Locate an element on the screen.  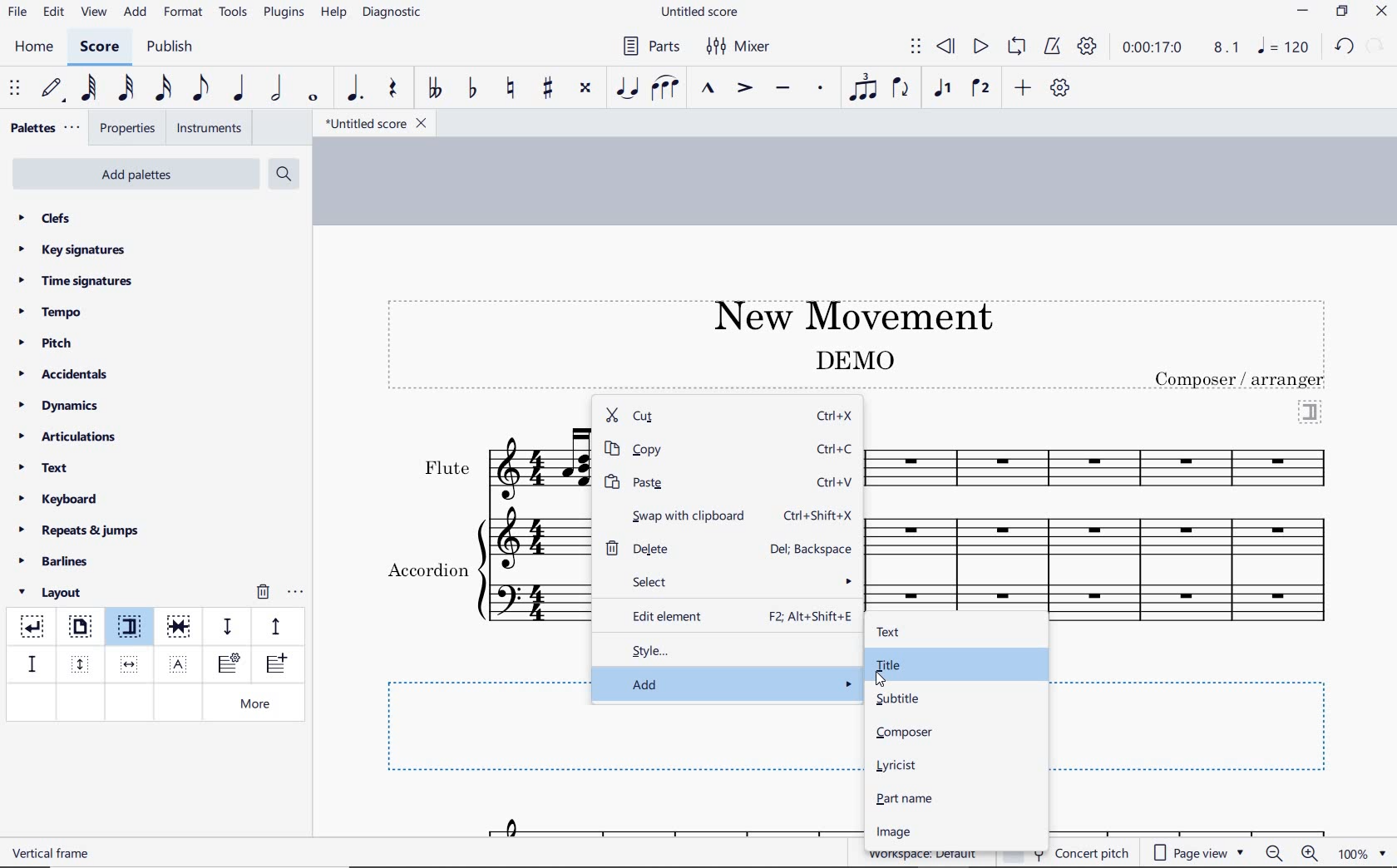
cut is located at coordinates (689, 417).